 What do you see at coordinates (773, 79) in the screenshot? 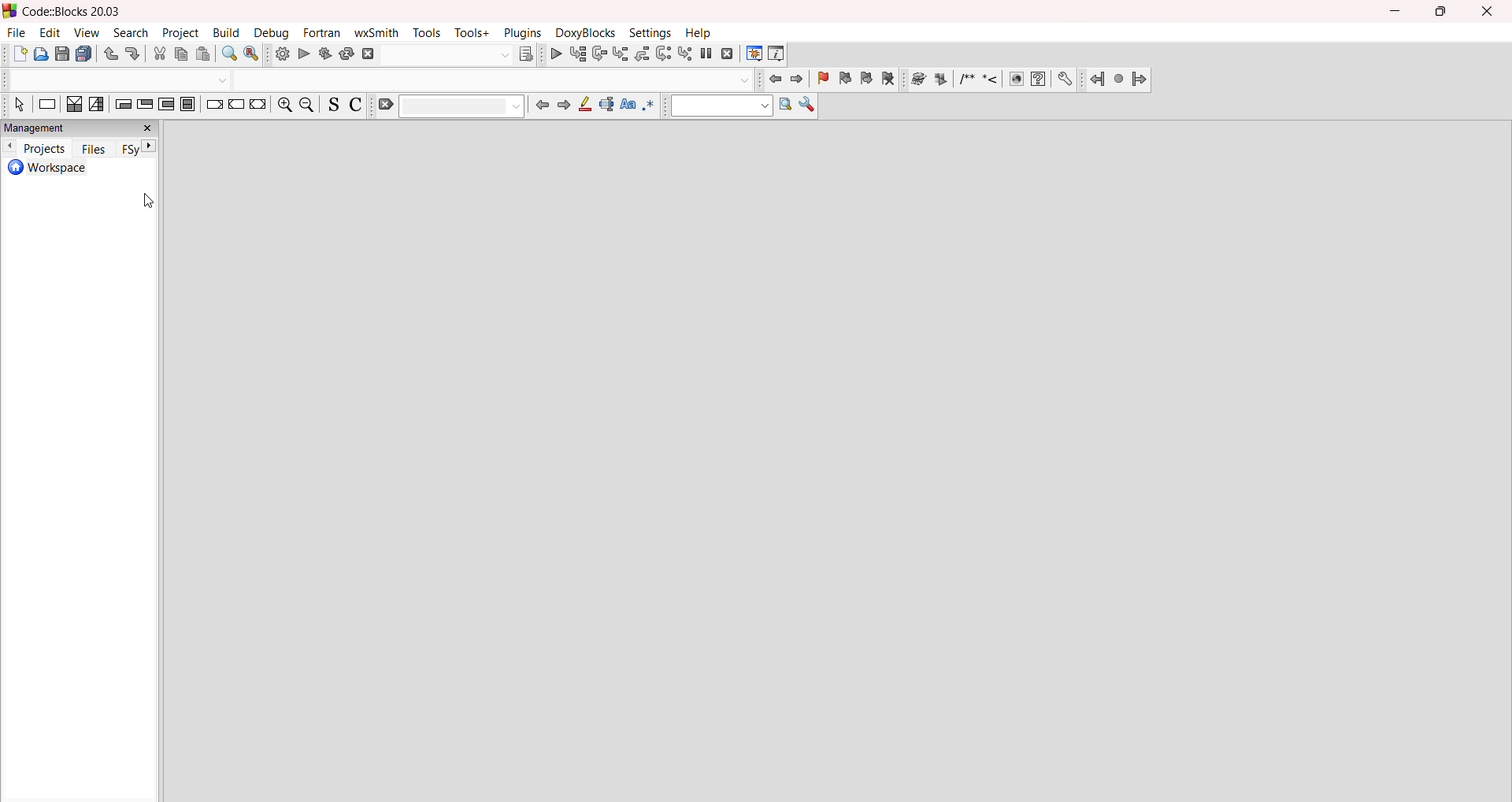
I see `jump to front` at bounding box center [773, 79].